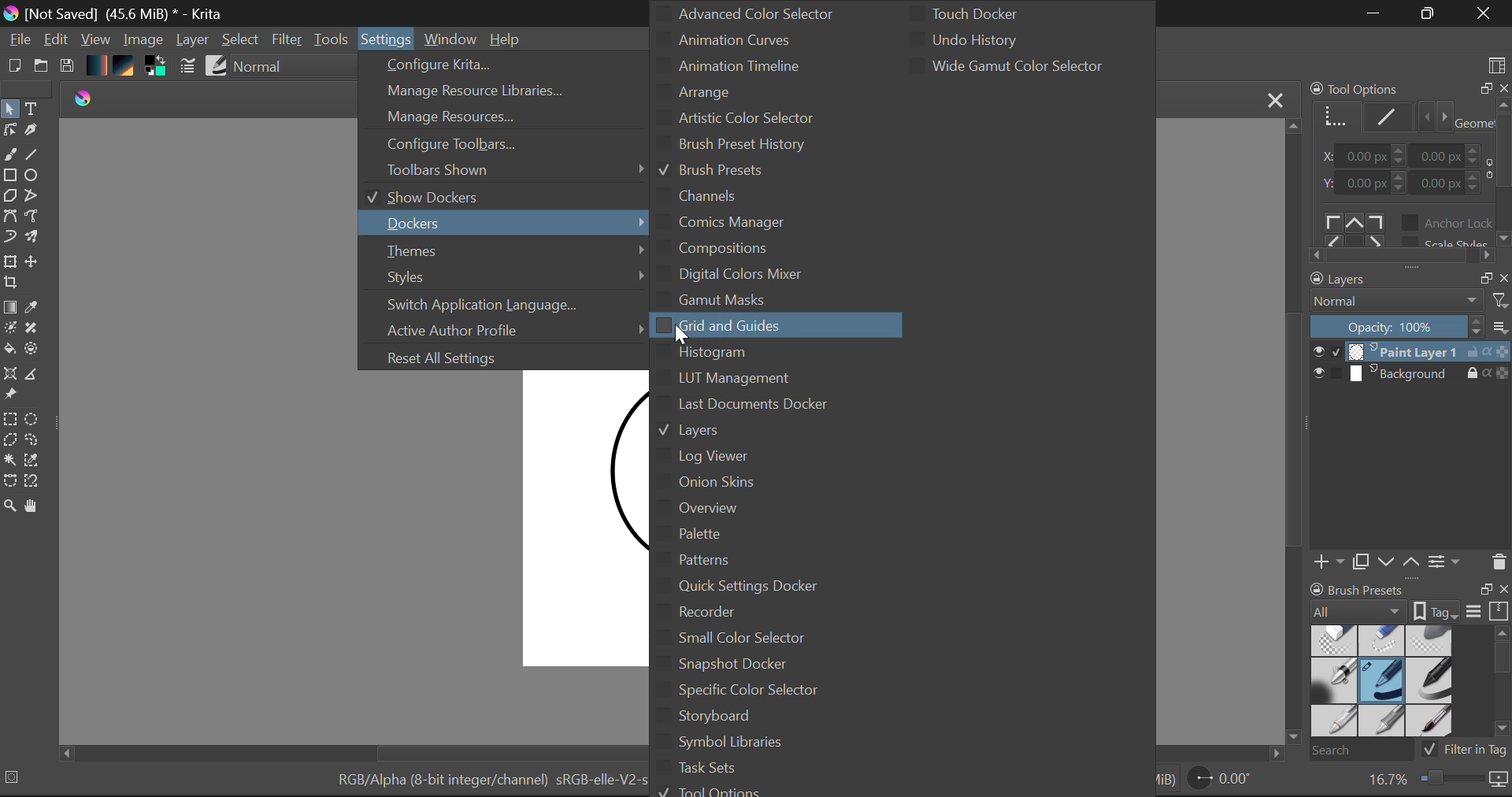 The image size is (1512, 797). Describe the element at coordinates (747, 275) in the screenshot. I see `Digital Colors Mixer` at that location.